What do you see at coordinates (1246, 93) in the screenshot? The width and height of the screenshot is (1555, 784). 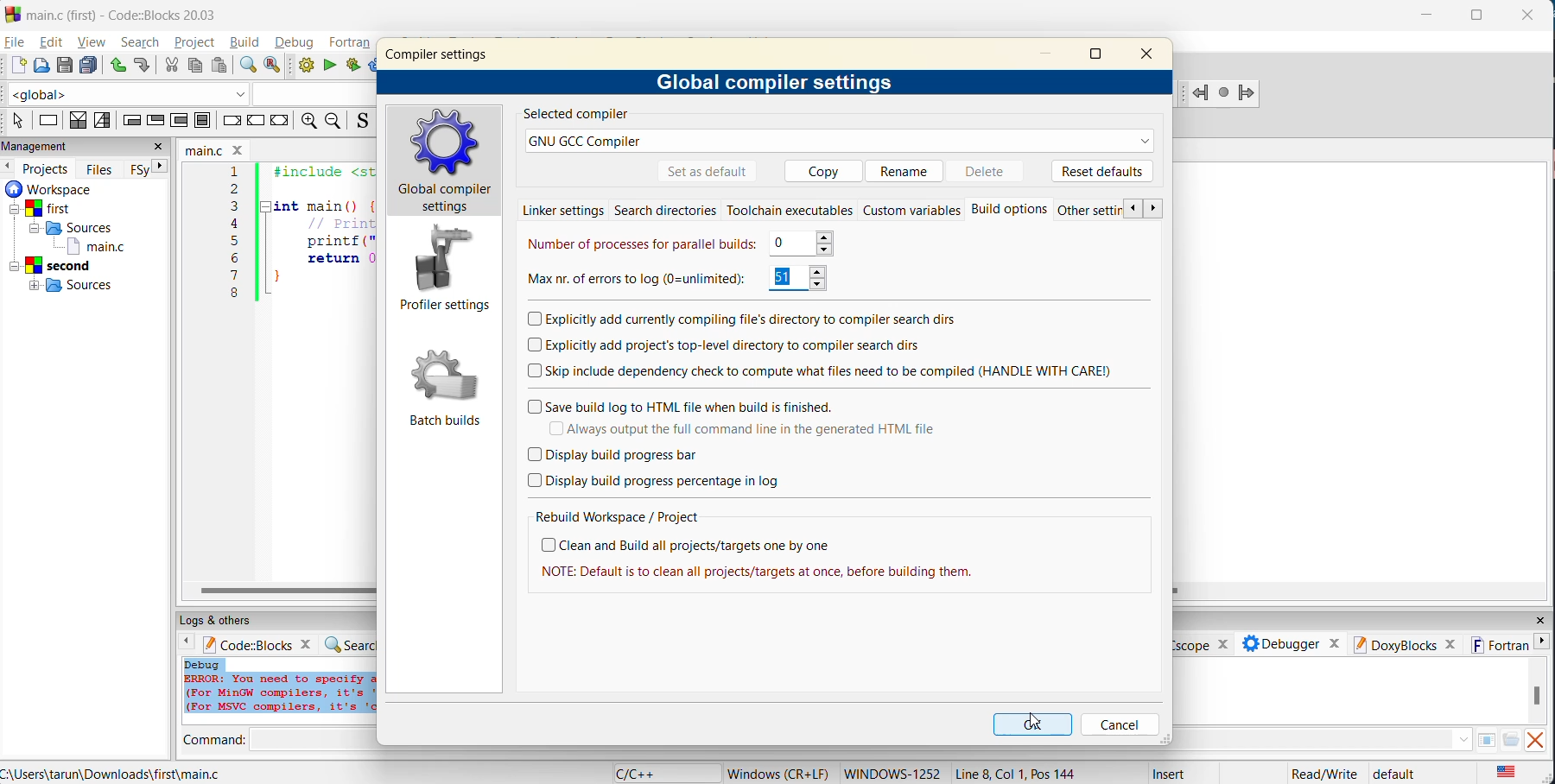 I see `Jump forward` at bounding box center [1246, 93].